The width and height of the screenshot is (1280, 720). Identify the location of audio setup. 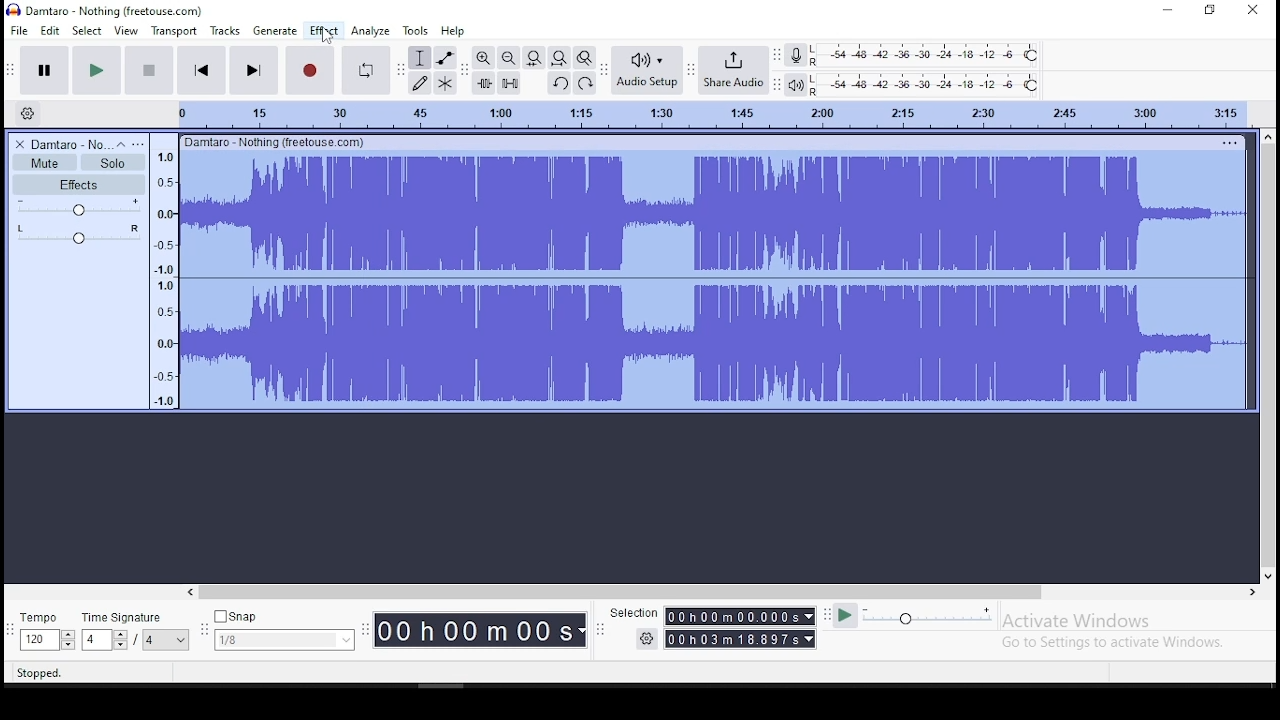
(647, 69).